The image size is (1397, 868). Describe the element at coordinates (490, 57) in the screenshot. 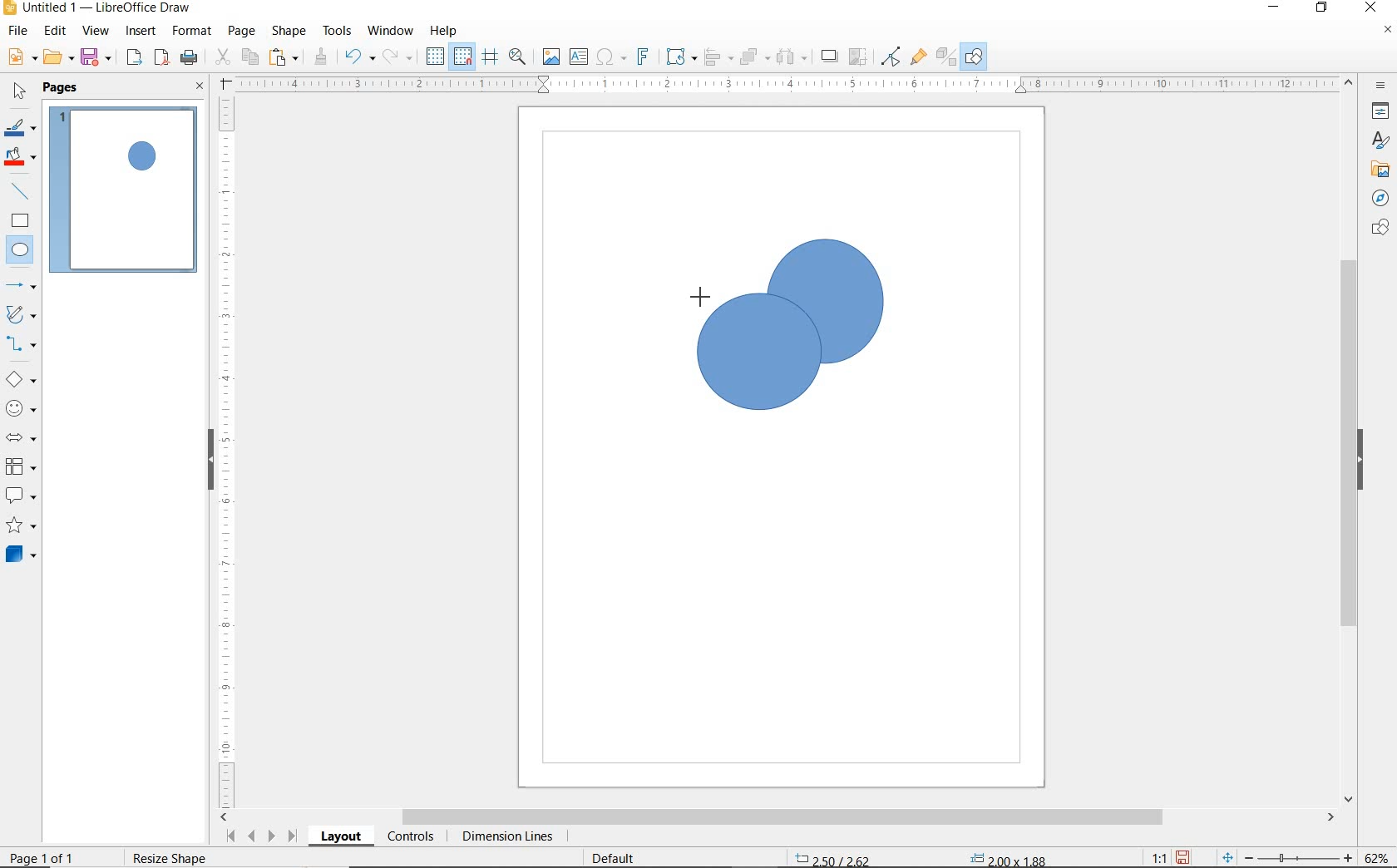

I see `HELPLINES WHILE MOVING` at that location.